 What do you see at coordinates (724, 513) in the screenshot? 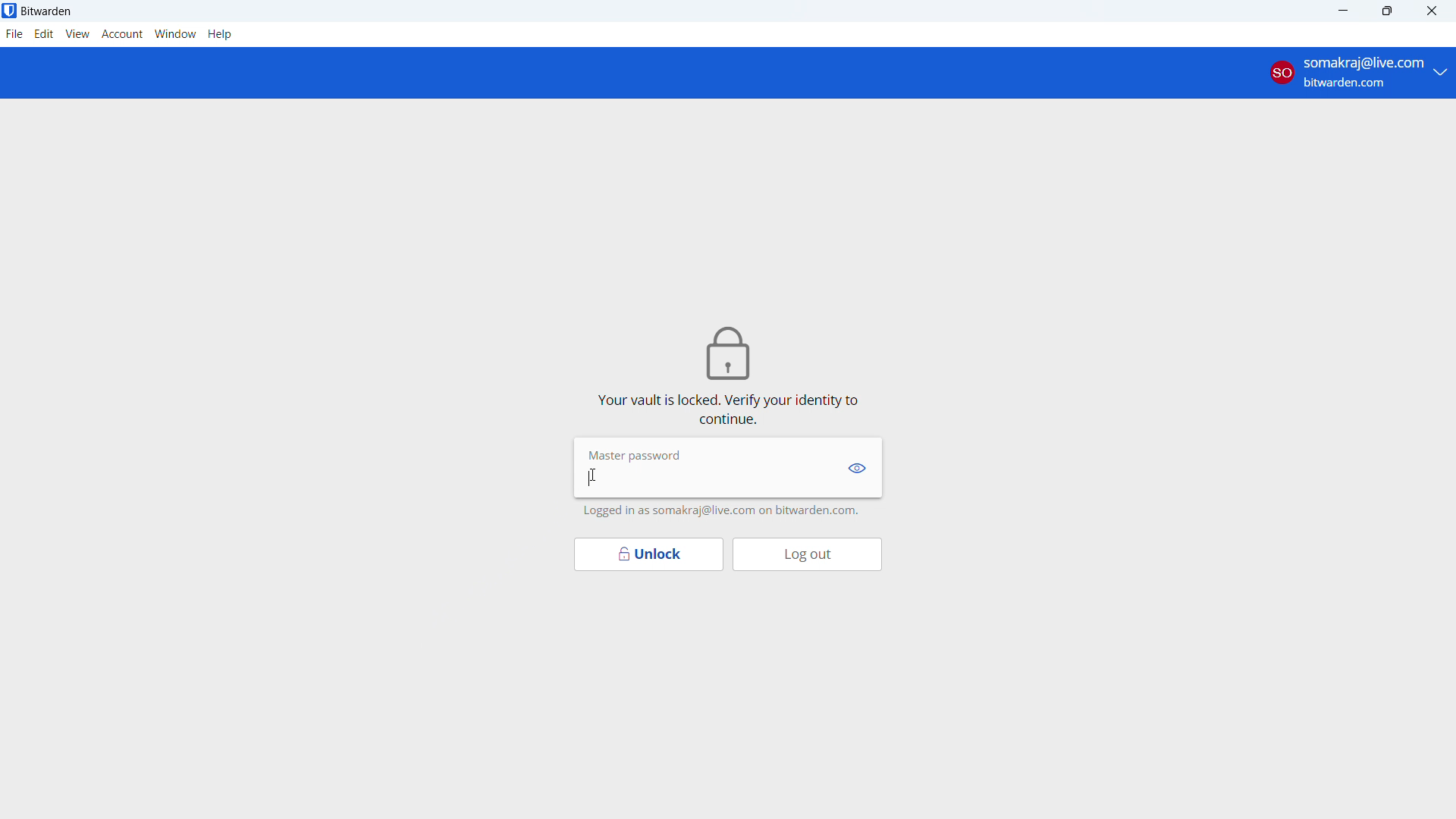
I see `logged in as somakraj@live.com on bitwarden.com.` at bounding box center [724, 513].